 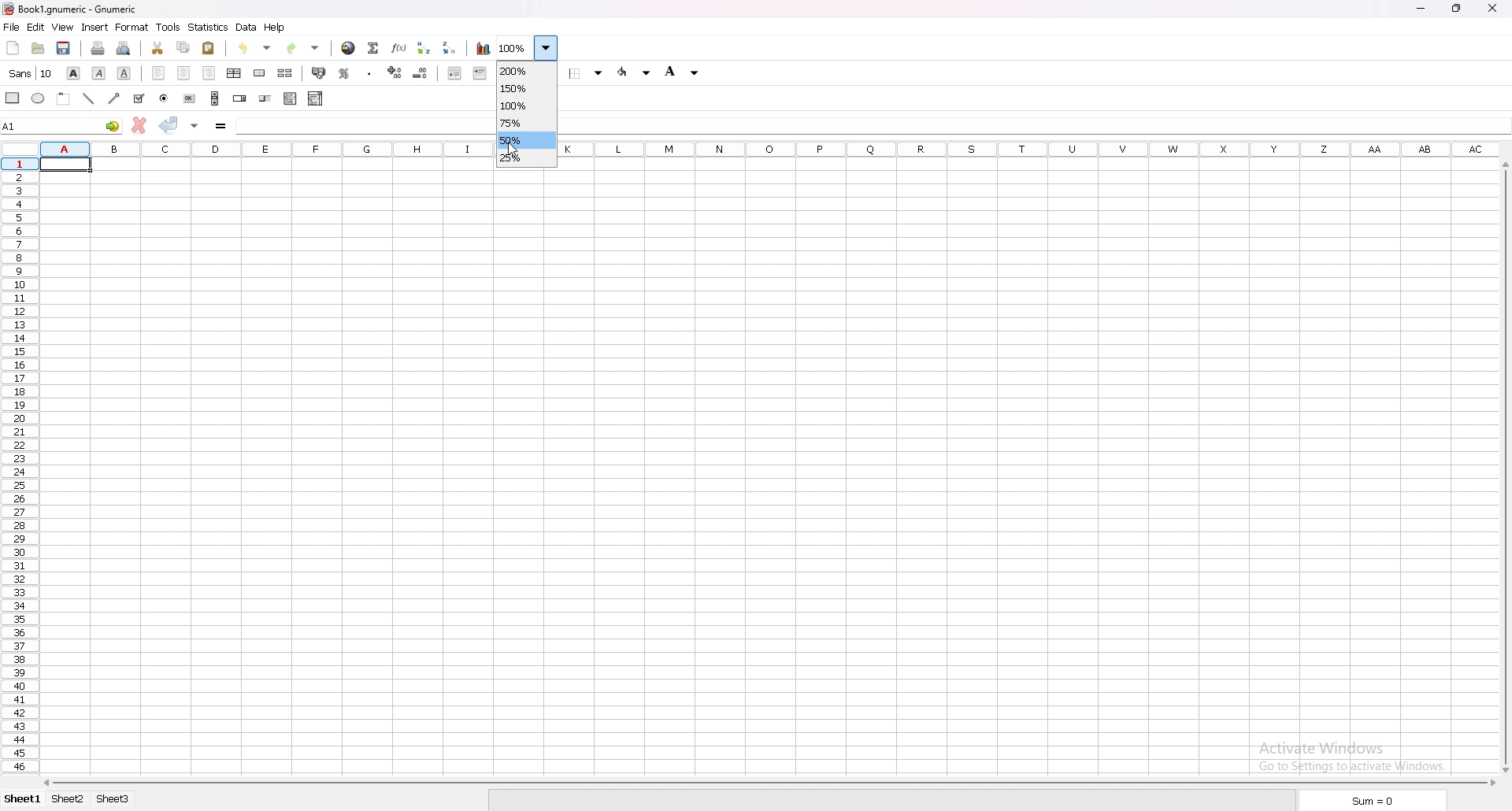 What do you see at coordinates (292, 48) in the screenshot?
I see `redo` at bounding box center [292, 48].